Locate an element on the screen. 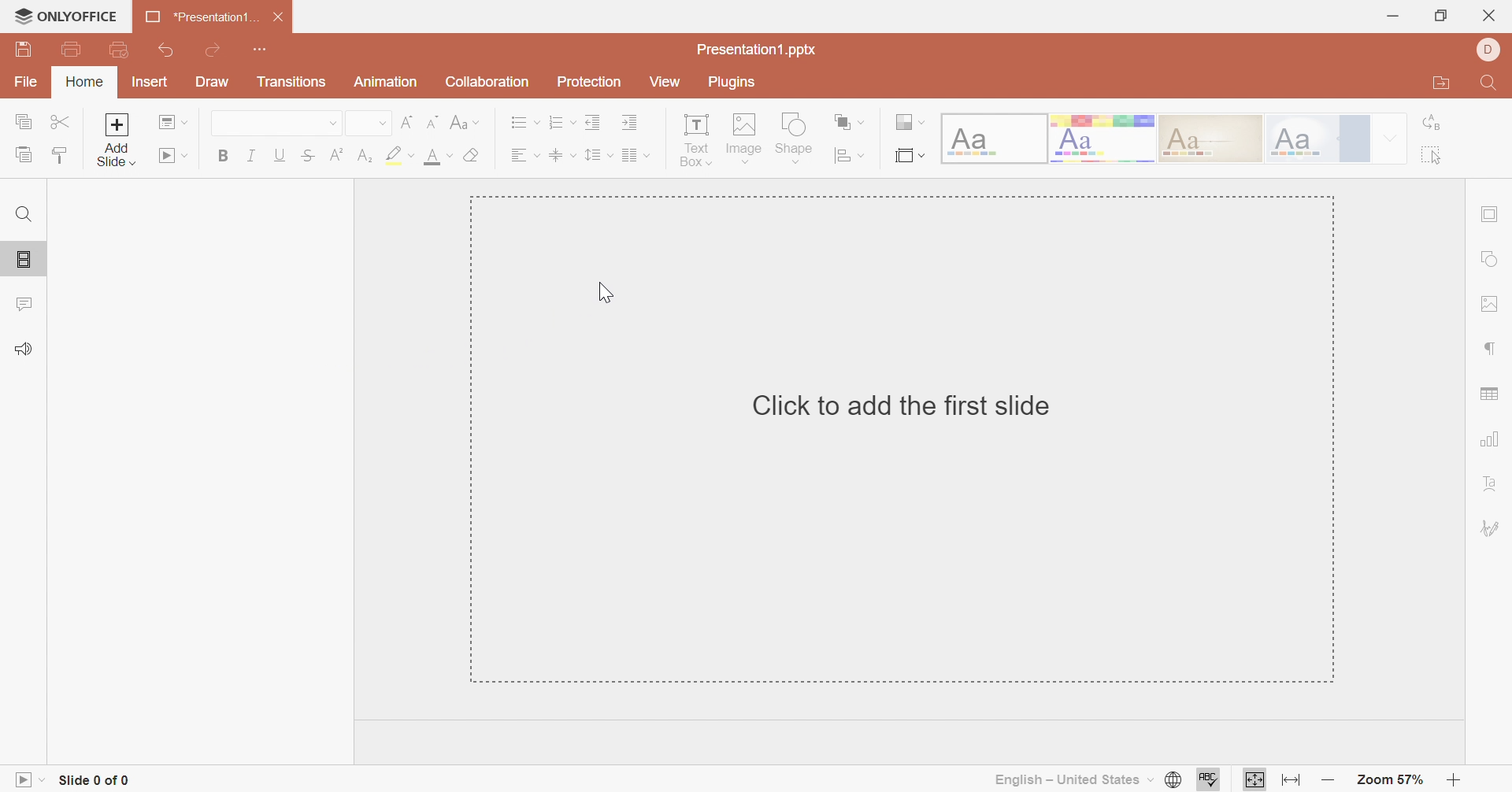  Increment font size is located at coordinates (406, 121).